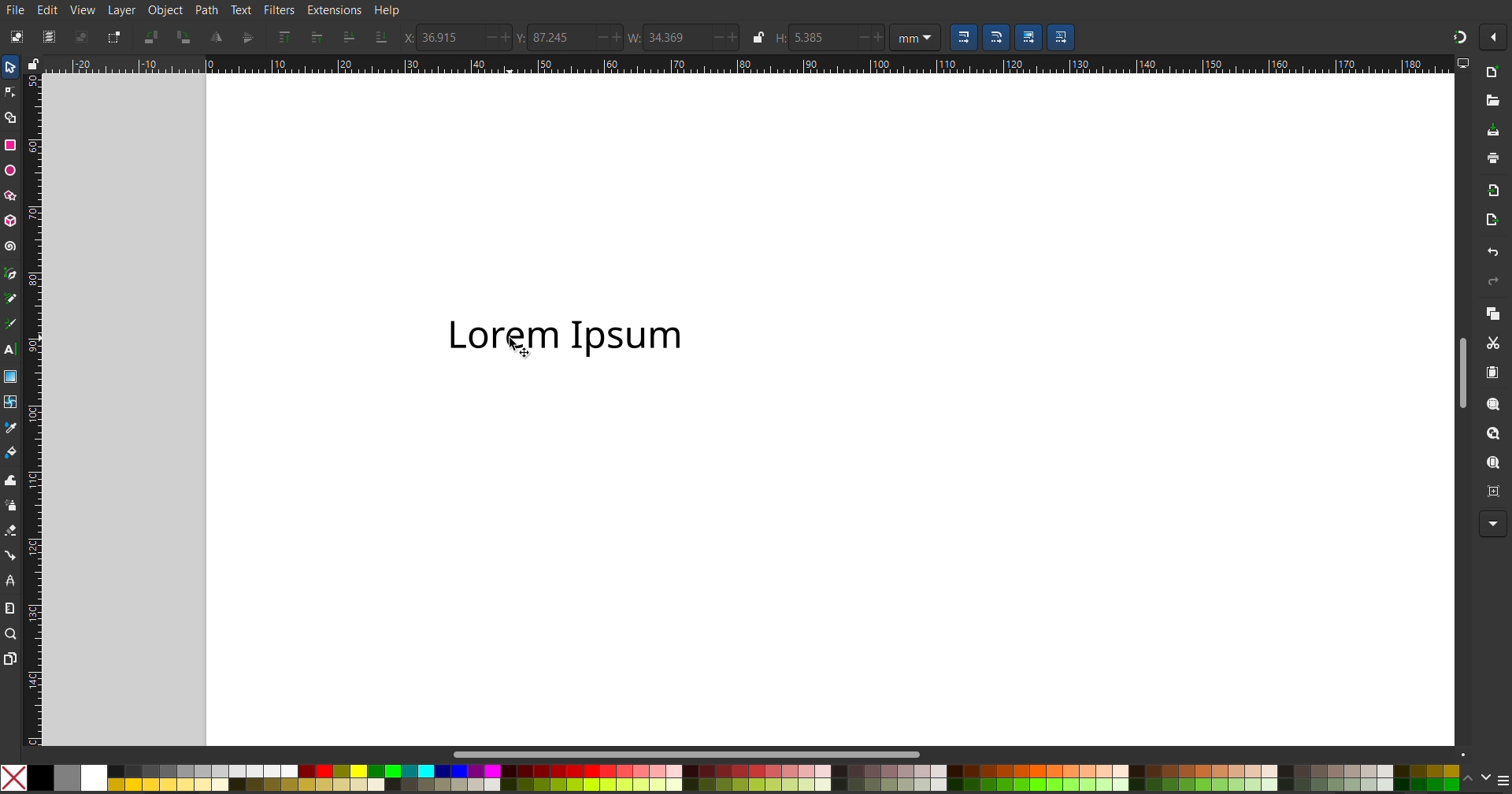 The width and height of the screenshot is (1512, 794). What do you see at coordinates (1493, 523) in the screenshot?
I see `More` at bounding box center [1493, 523].